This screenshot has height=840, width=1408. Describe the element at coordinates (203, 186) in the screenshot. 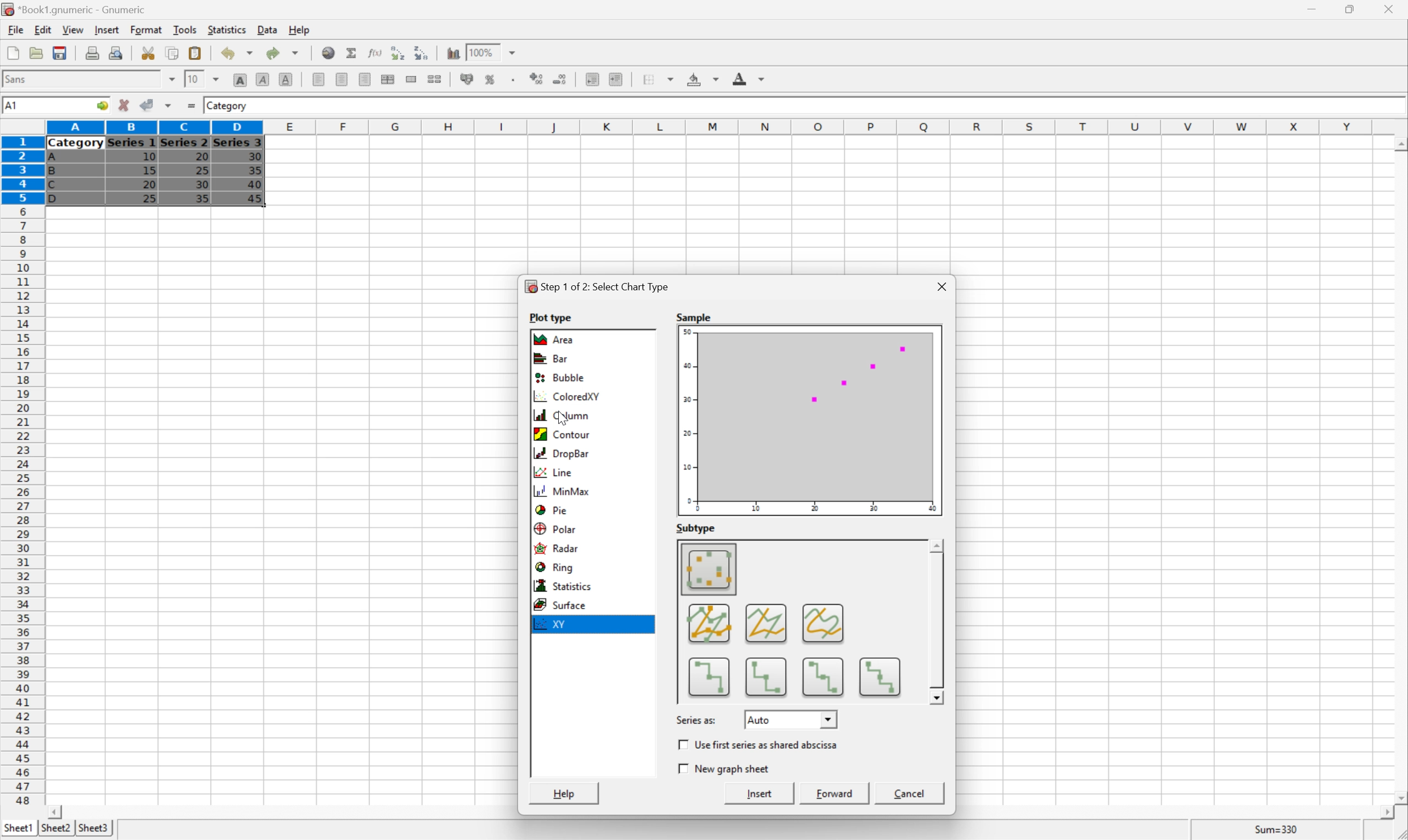

I see `30` at that location.